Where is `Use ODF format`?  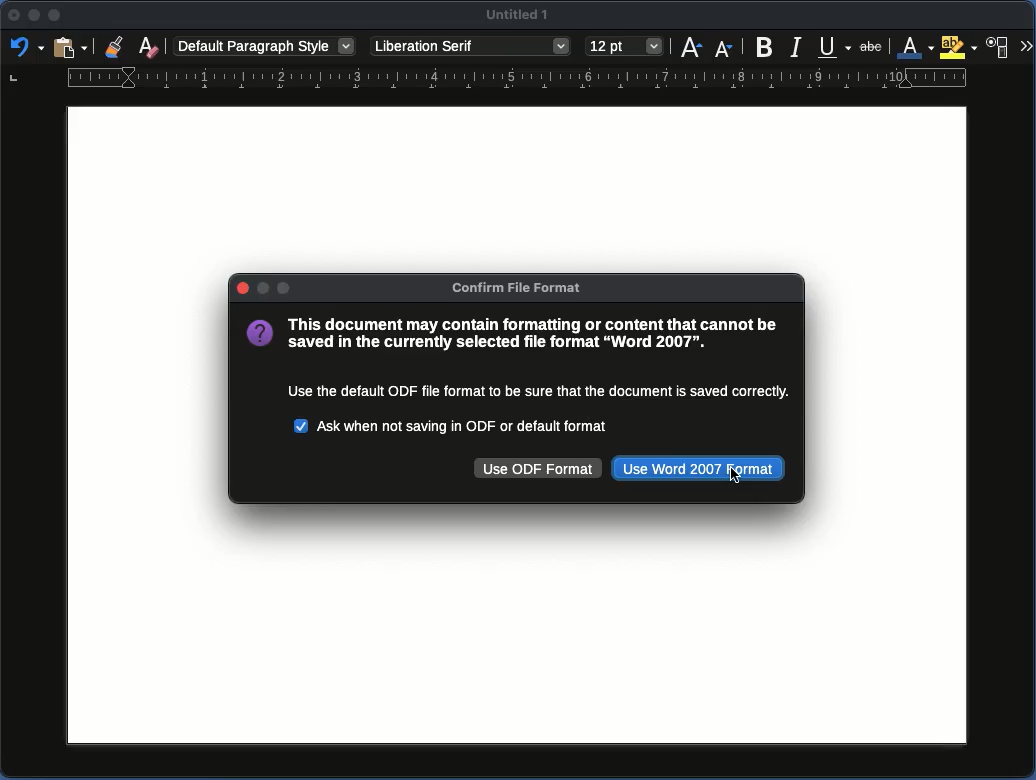
Use ODF format is located at coordinates (539, 469).